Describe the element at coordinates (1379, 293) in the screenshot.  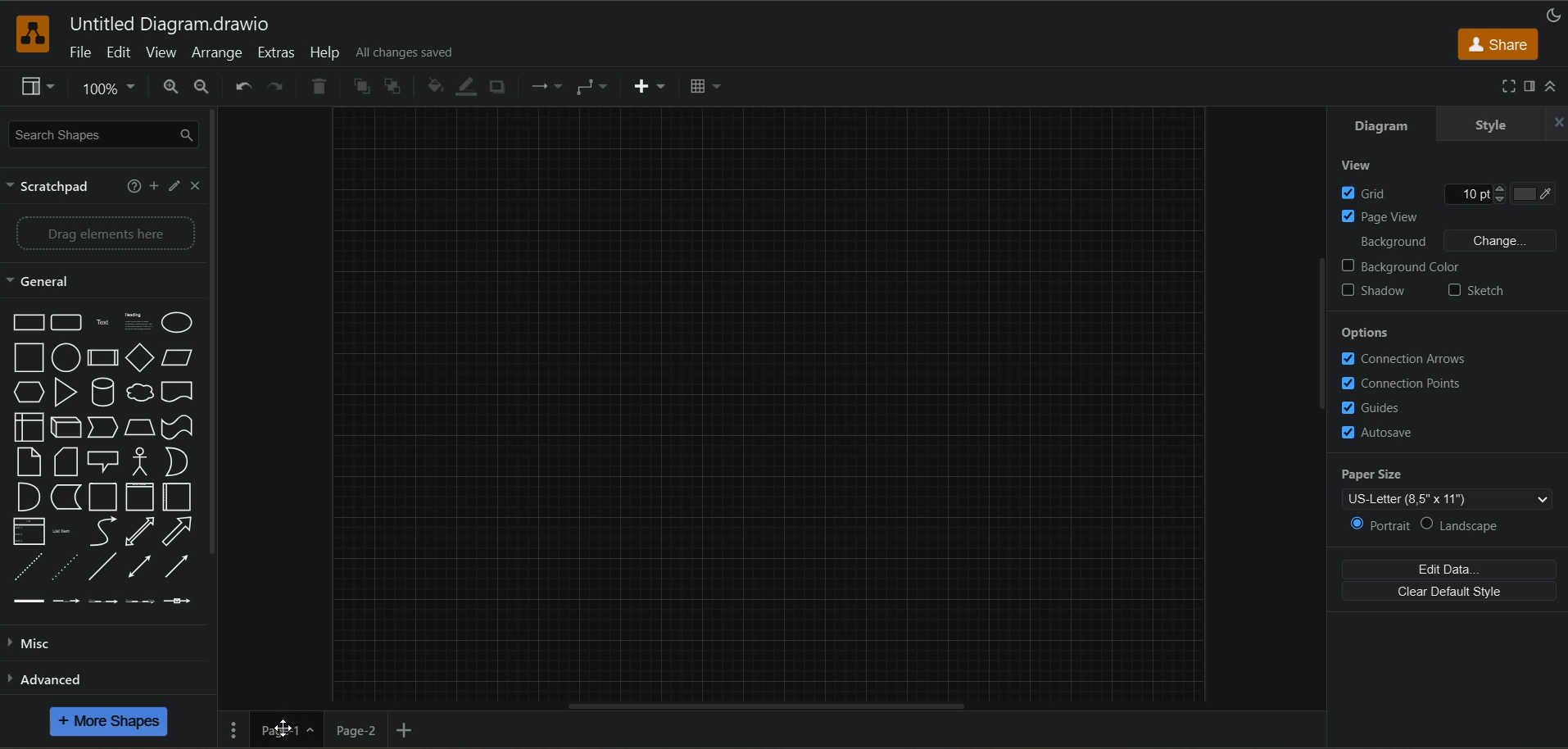
I see `shadow` at that location.